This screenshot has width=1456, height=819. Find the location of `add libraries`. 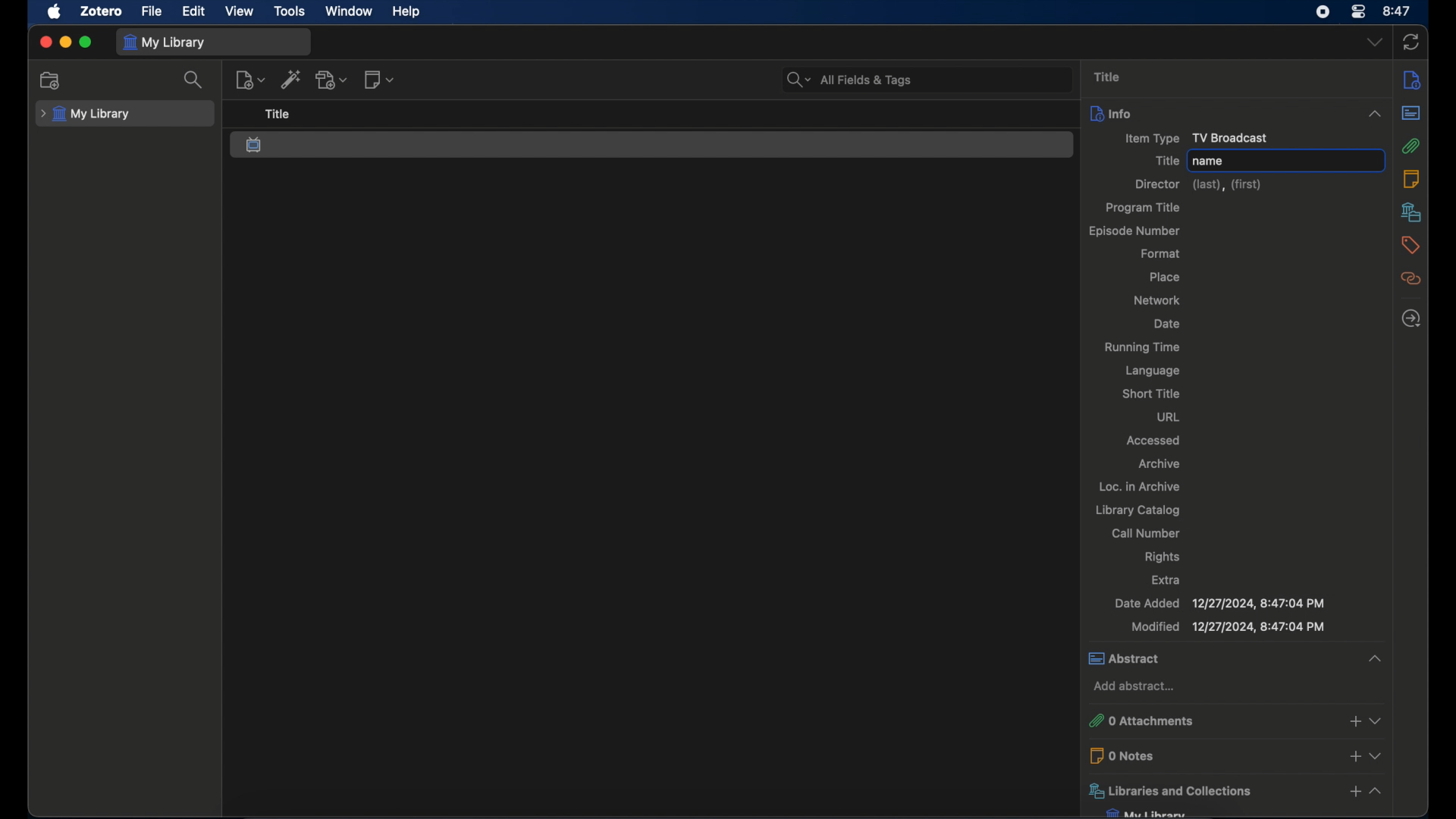

add libraries is located at coordinates (1354, 793).